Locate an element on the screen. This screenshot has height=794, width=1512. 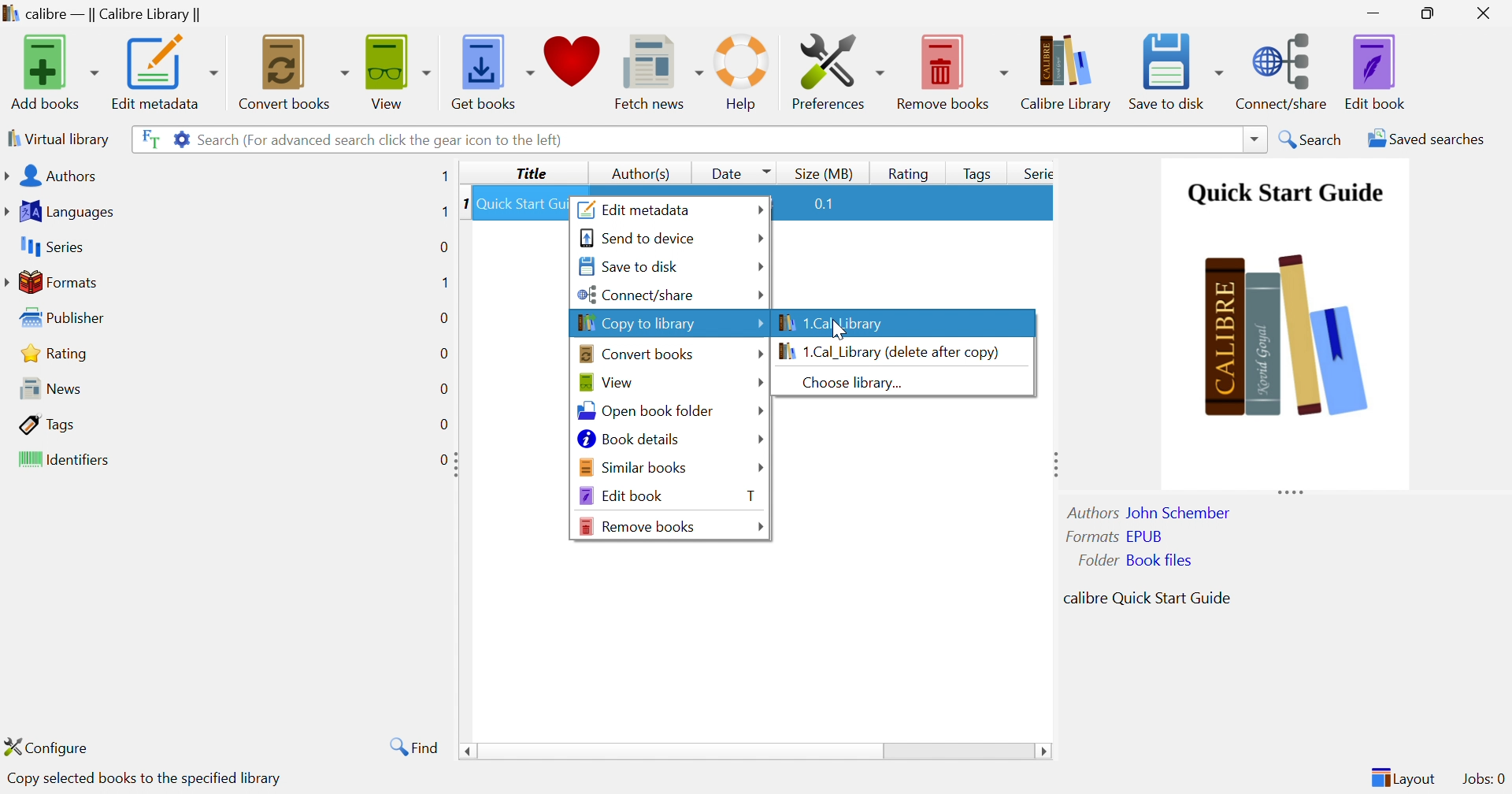
0 is located at coordinates (443, 247).